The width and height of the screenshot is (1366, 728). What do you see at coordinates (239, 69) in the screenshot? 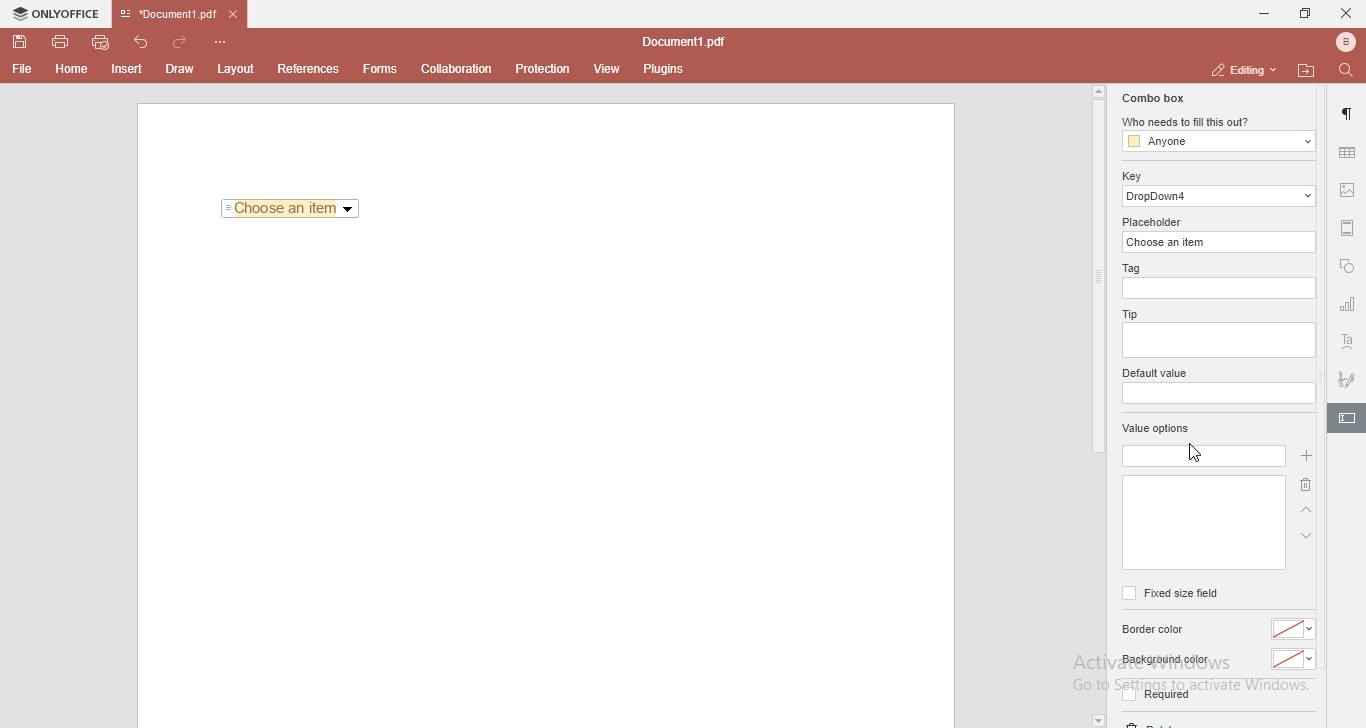
I see `layout` at bounding box center [239, 69].